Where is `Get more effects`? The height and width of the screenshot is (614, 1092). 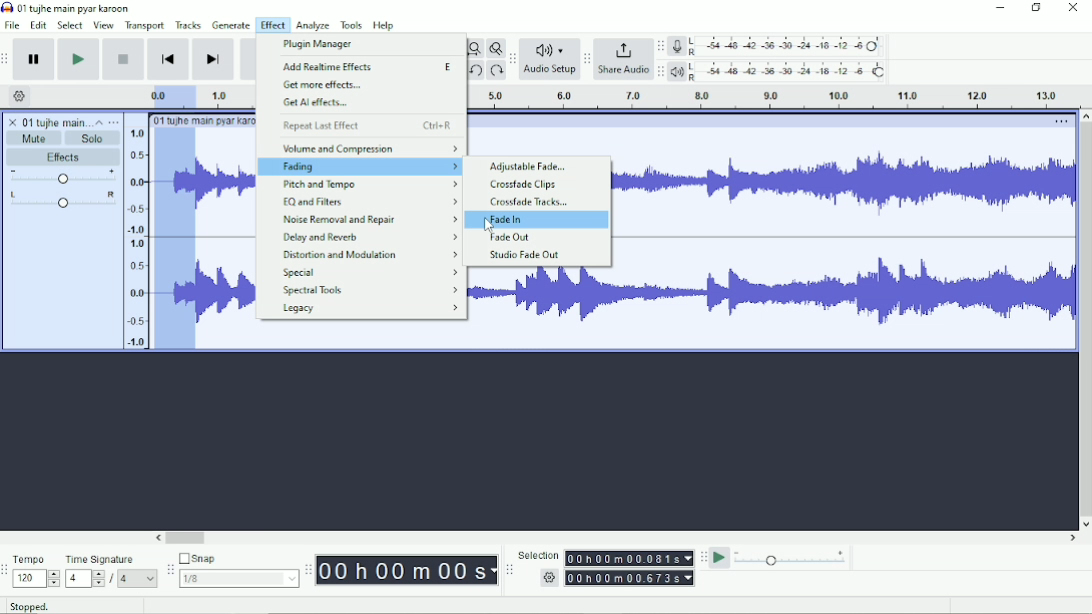
Get more effects is located at coordinates (324, 86).